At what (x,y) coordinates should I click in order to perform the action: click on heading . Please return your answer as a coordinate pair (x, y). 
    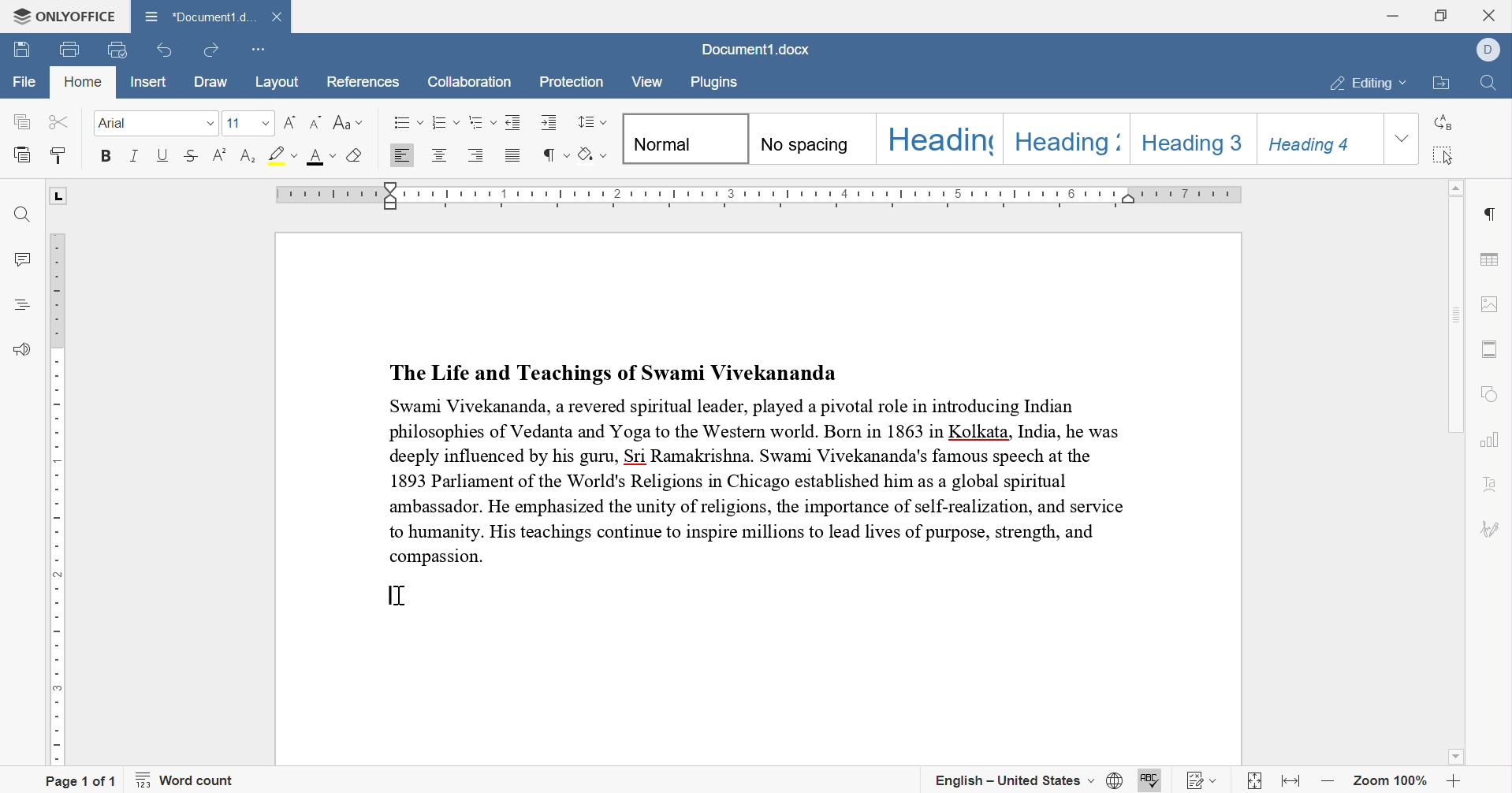
    Looking at the image, I should click on (941, 138).